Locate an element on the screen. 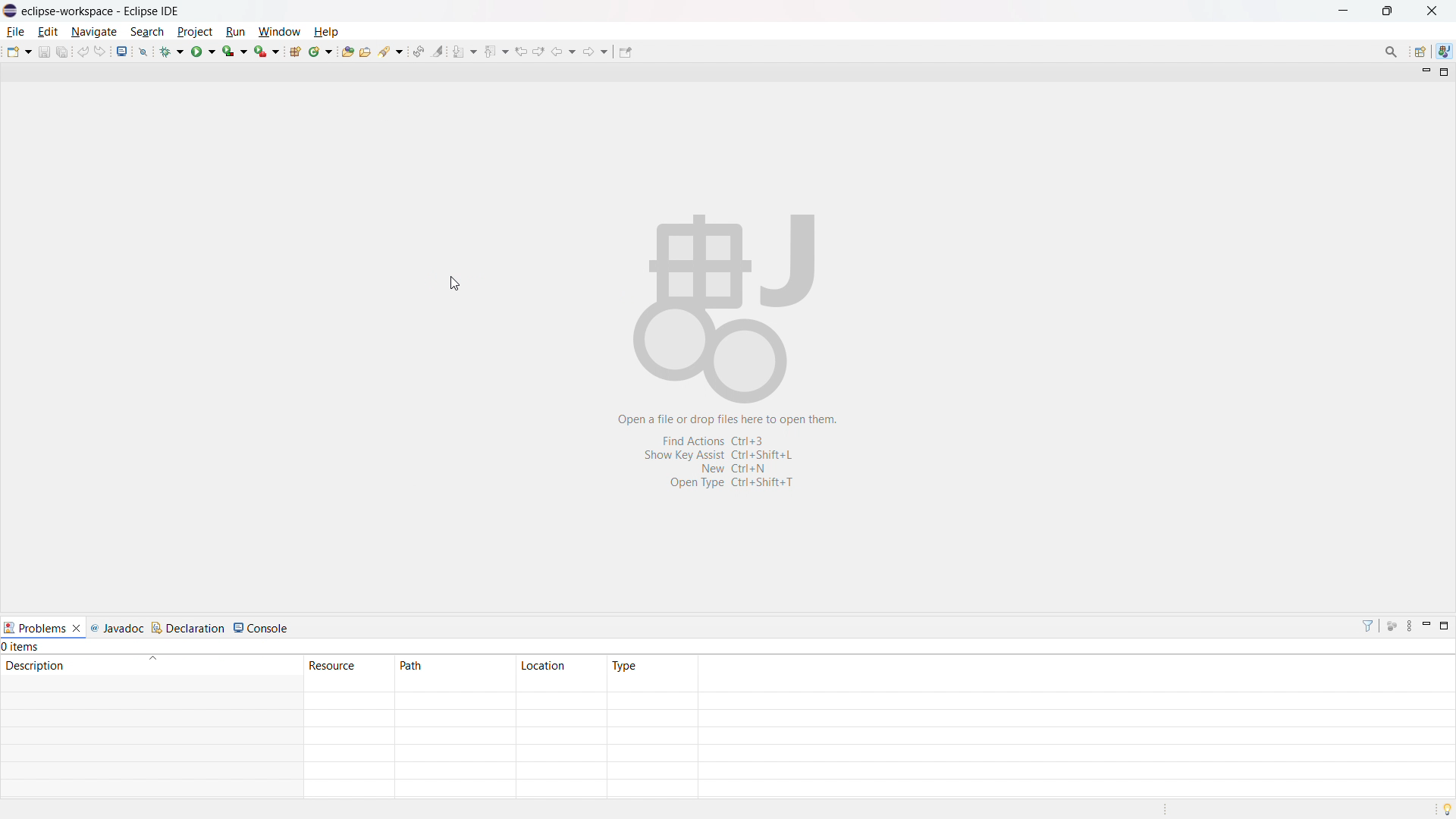 The image size is (1456, 819). redo is located at coordinates (99, 50).